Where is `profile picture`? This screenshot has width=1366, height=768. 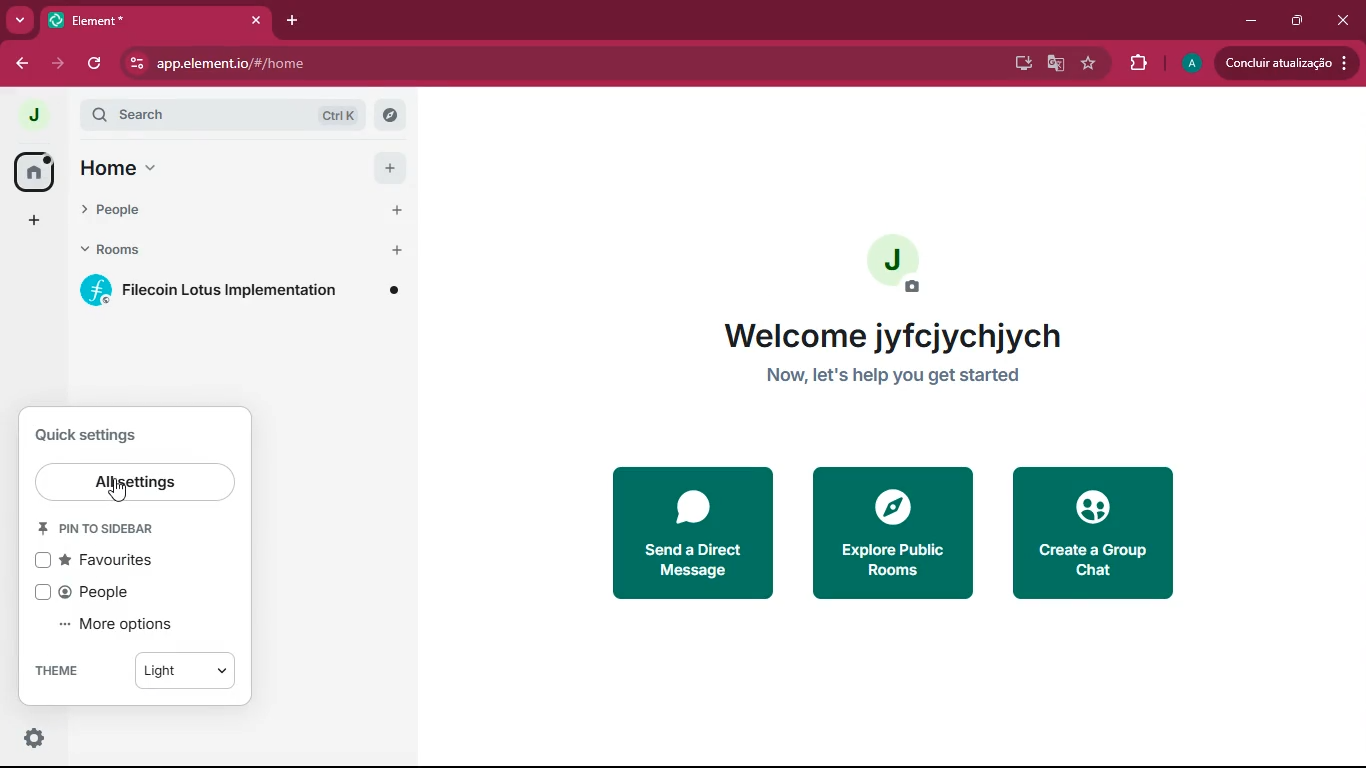
profile picture is located at coordinates (906, 264).